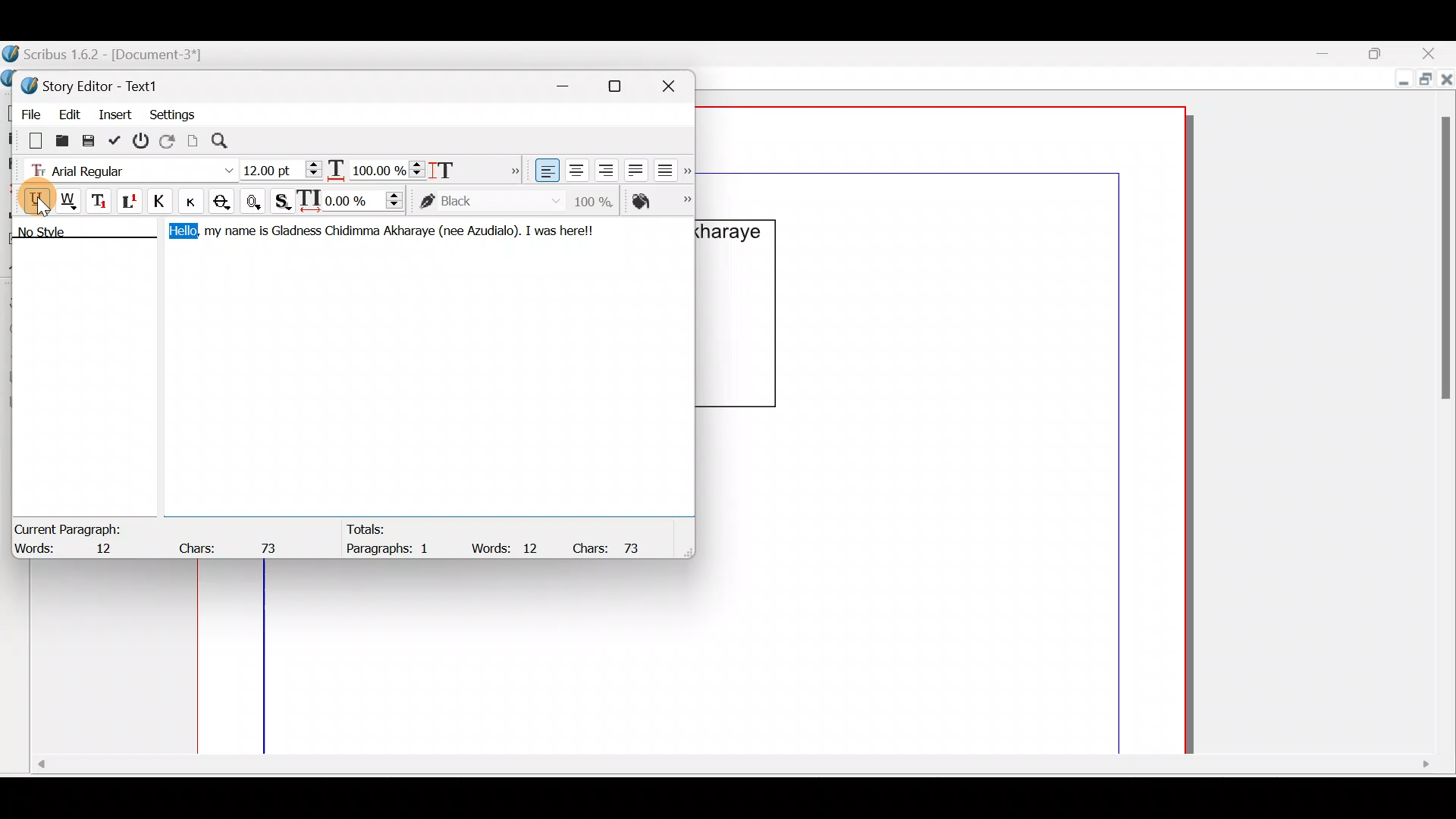 This screenshot has width=1456, height=819. What do you see at coordinates (69, 111) in the screenshot?
I see `Edit ` at bounding box center [69, 111].